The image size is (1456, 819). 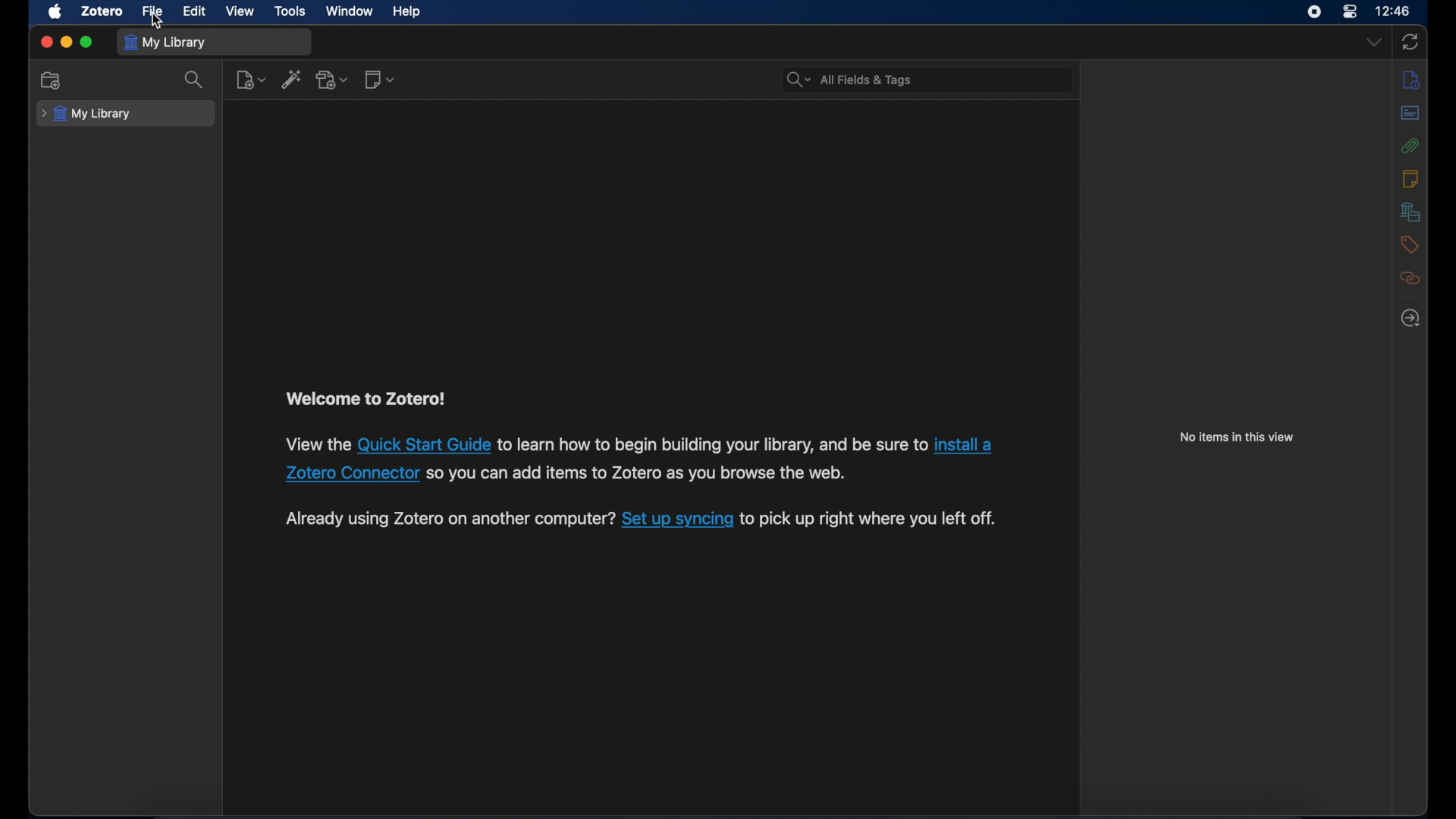 I want to click on related, so click(x=1411, y=278).